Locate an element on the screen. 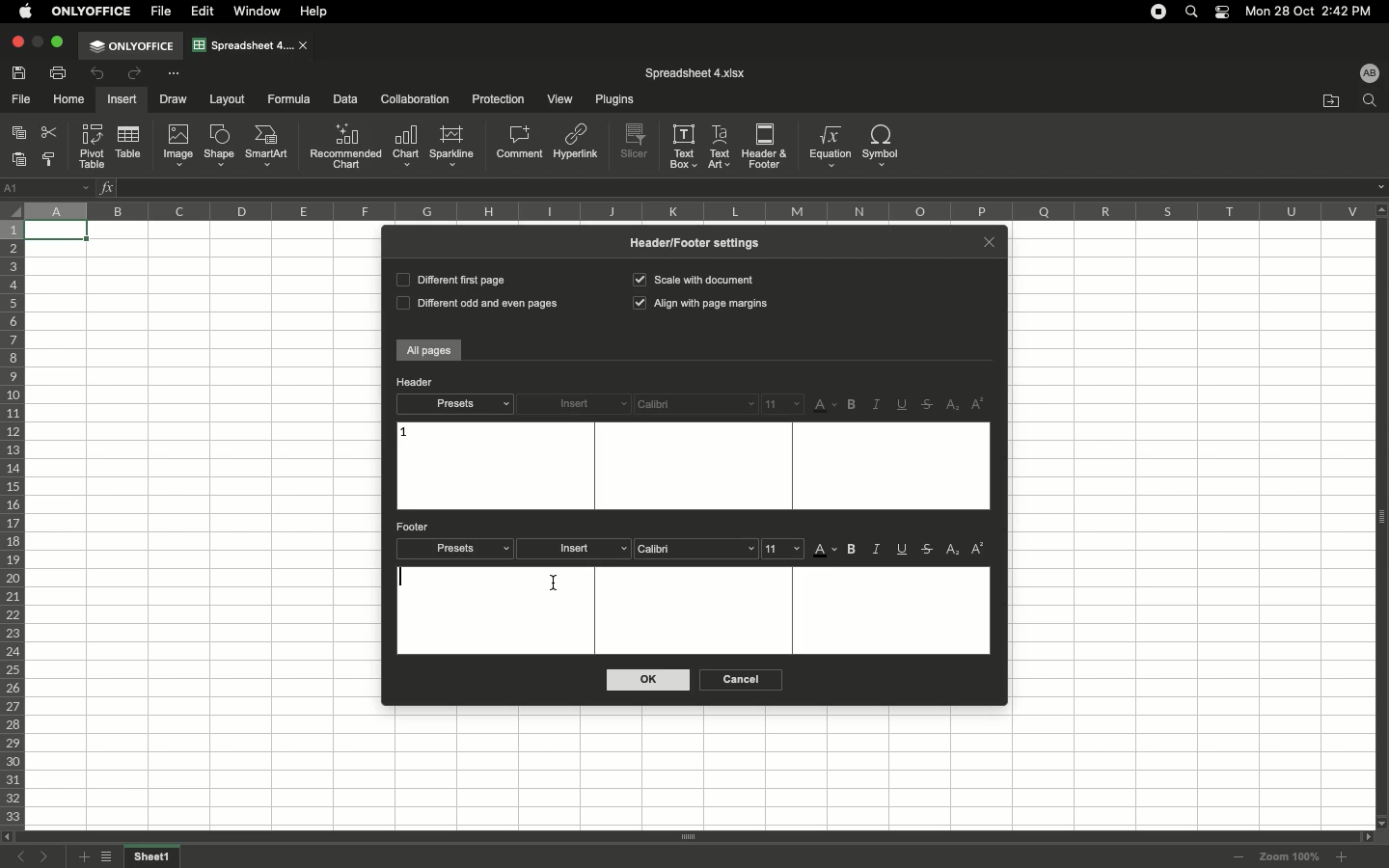 This screenshot has height=868, width=1389. scroll up is located at coordinates (1380, 209).